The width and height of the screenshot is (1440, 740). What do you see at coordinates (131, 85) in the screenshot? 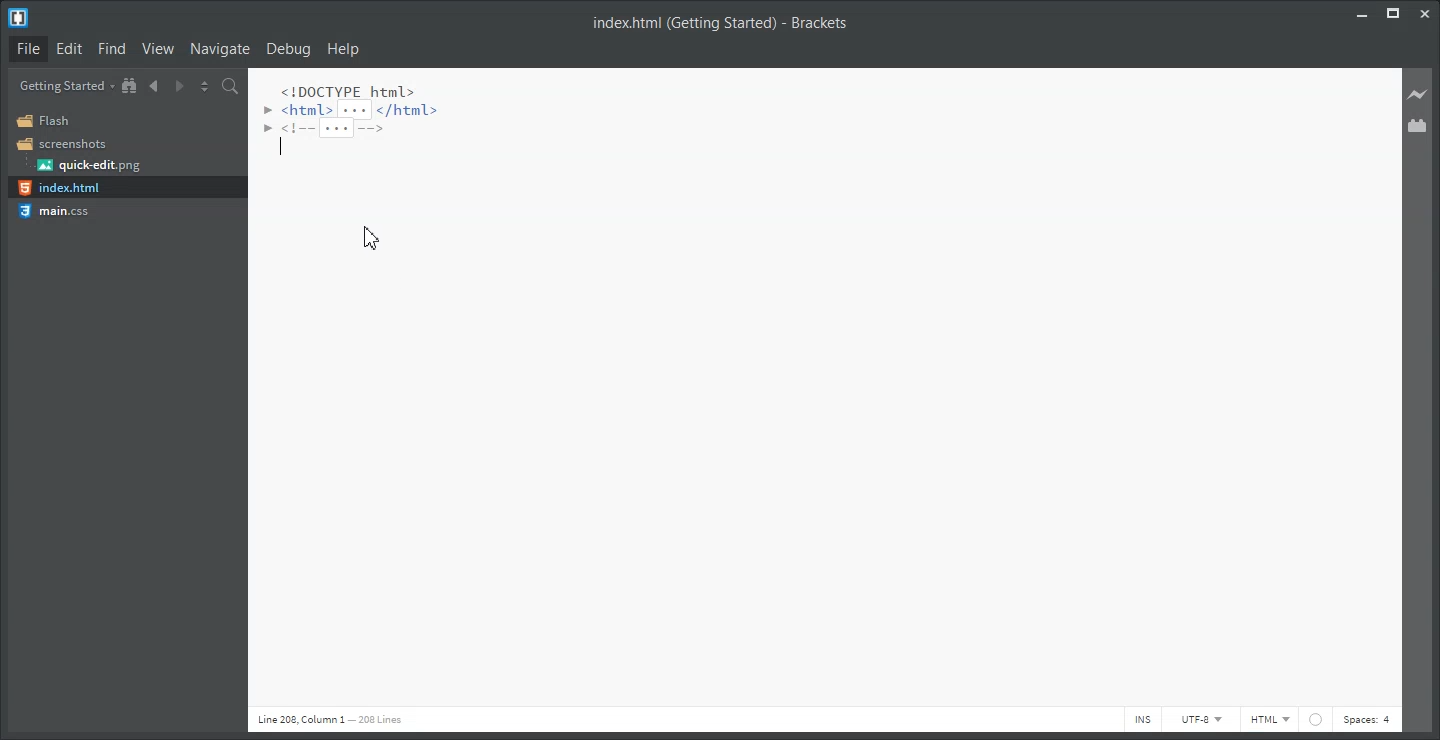
I see `Show in file tree` at bounding box center [131, 85].